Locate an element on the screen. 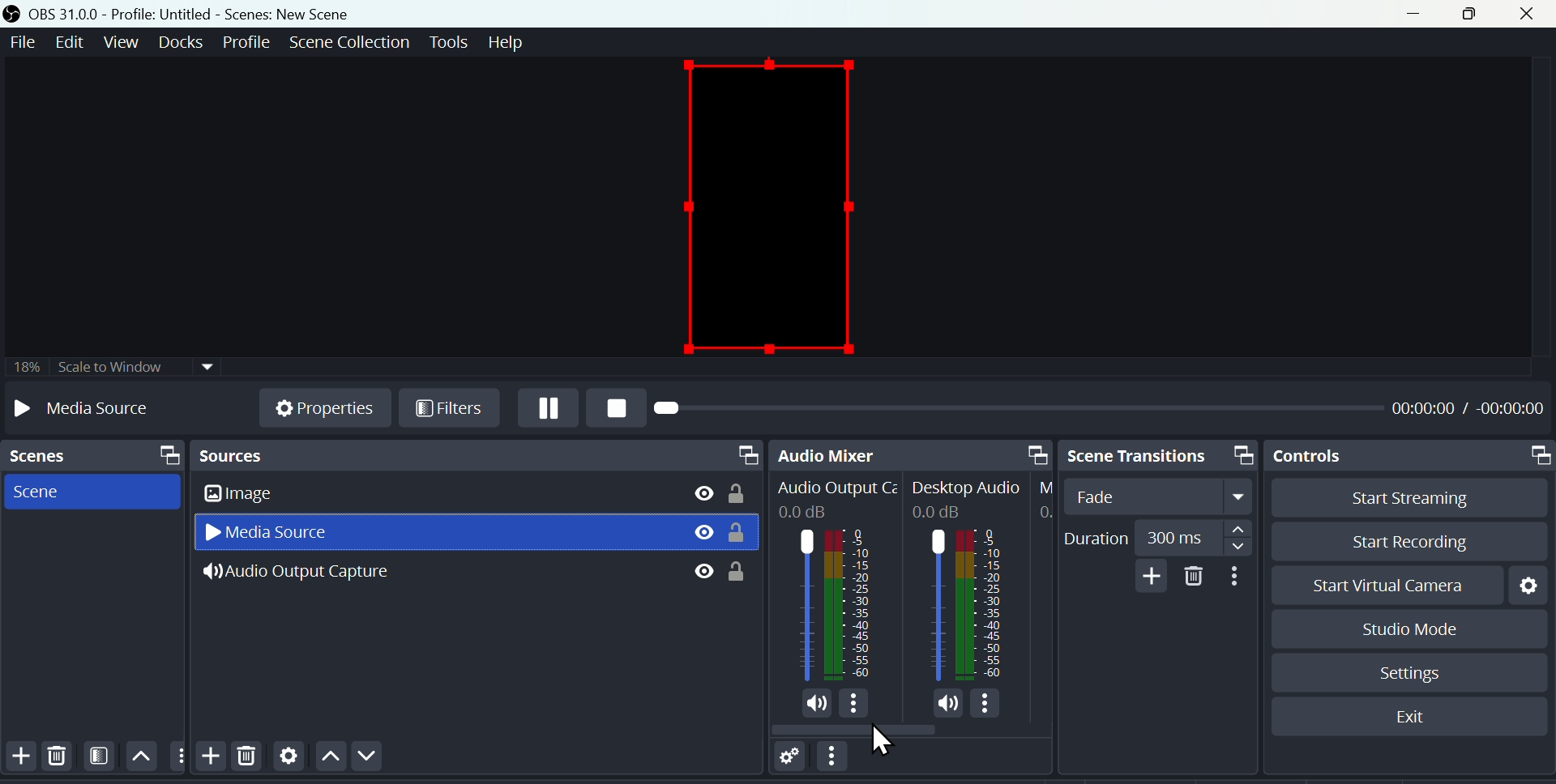 This screenshot has width=1556, height=784. Scale two window is located at coordinates (109, 368).